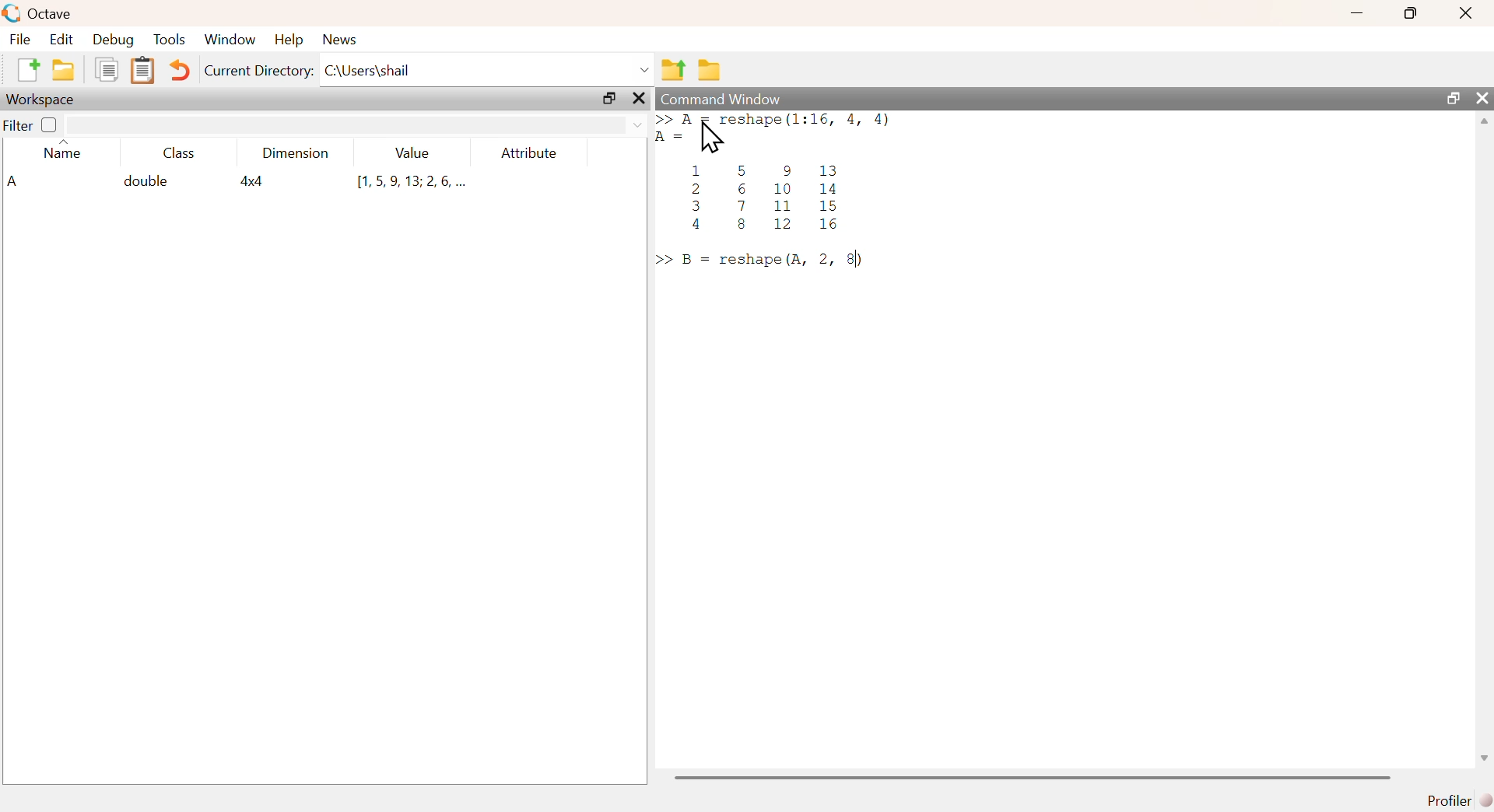  What do you see at coordinates (26, 68) in the screenshot?
I see `new script` at bounding box center [26, 68].